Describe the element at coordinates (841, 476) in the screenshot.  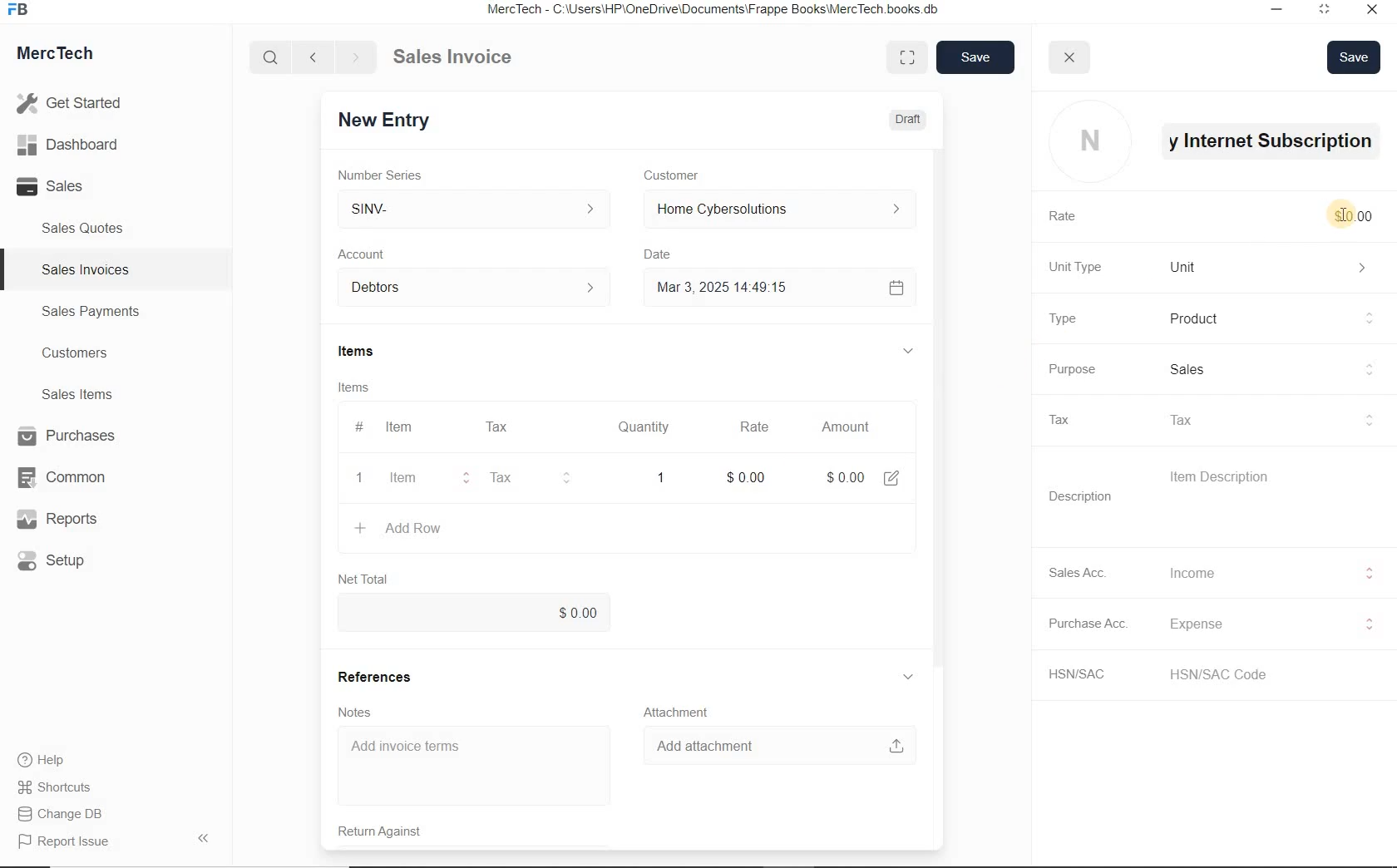
I see `Amount: $0.00` at that location.